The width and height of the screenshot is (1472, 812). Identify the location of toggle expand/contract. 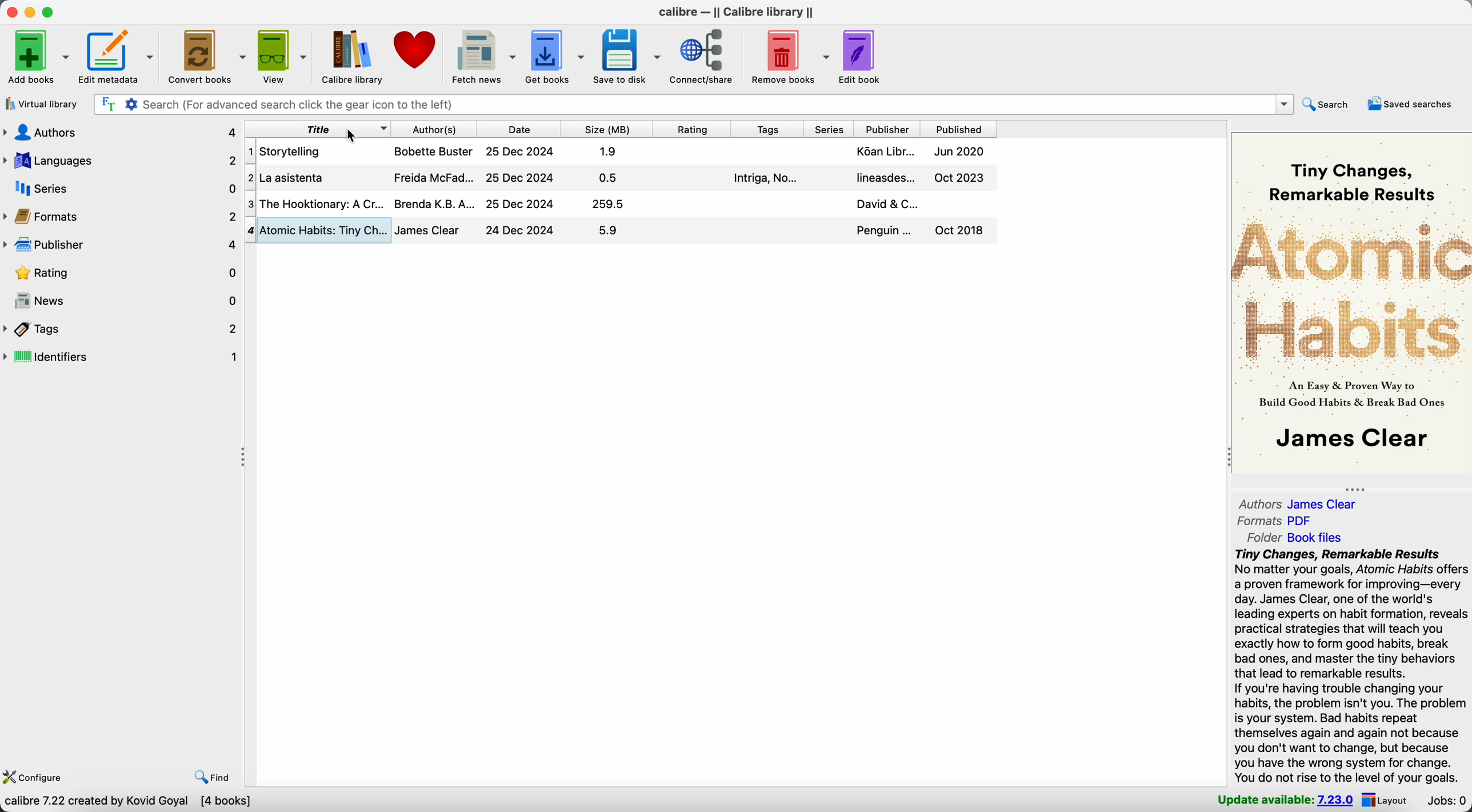
(1354, 489).